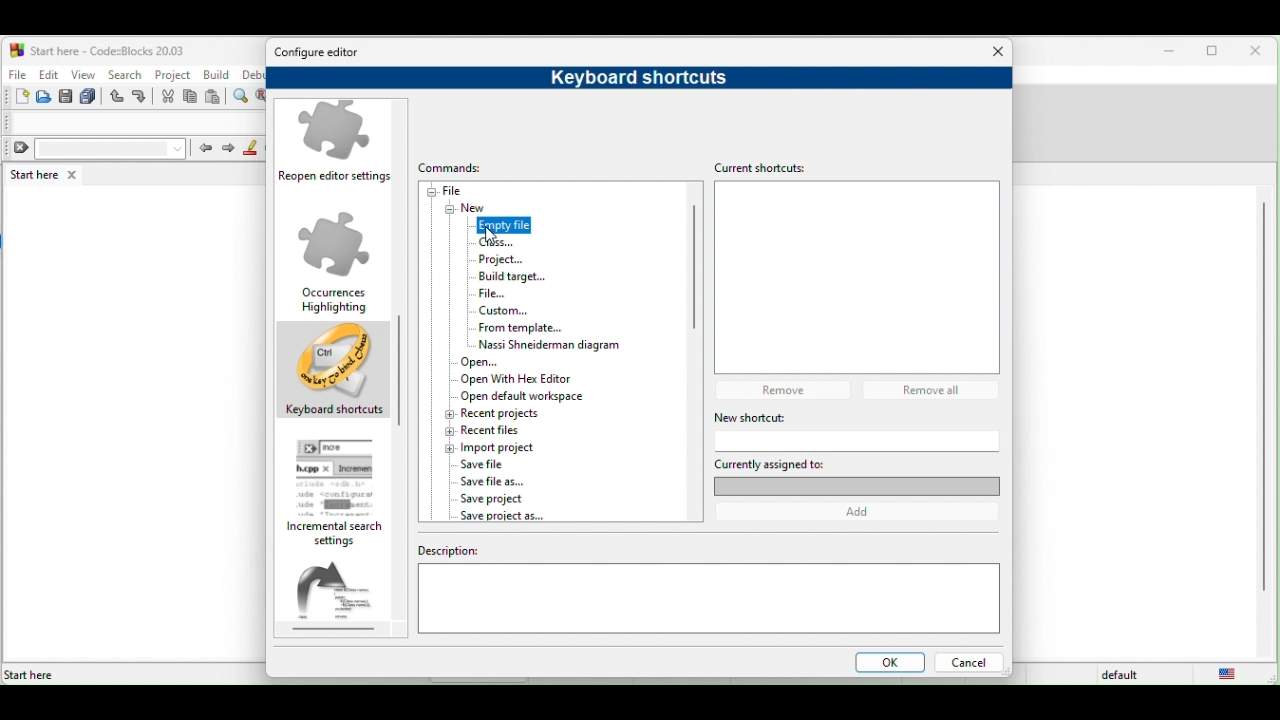 This screenshot has height=720, width=1280. What do you see at coordinates (824, 417) in the screenshot?
I see `new shortcut` at bounding box center [824, 417].